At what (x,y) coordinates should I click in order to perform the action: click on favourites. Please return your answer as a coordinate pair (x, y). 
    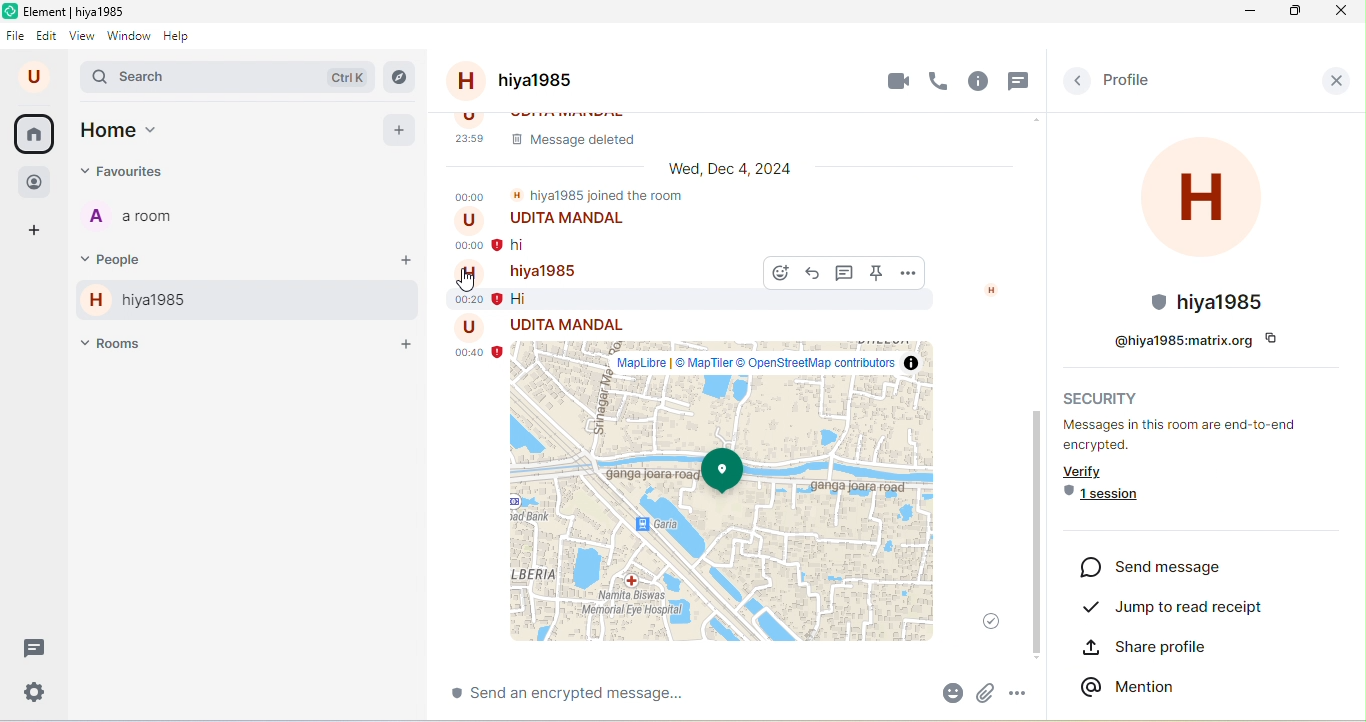
    Looking at the image, I should click on (126, 173).